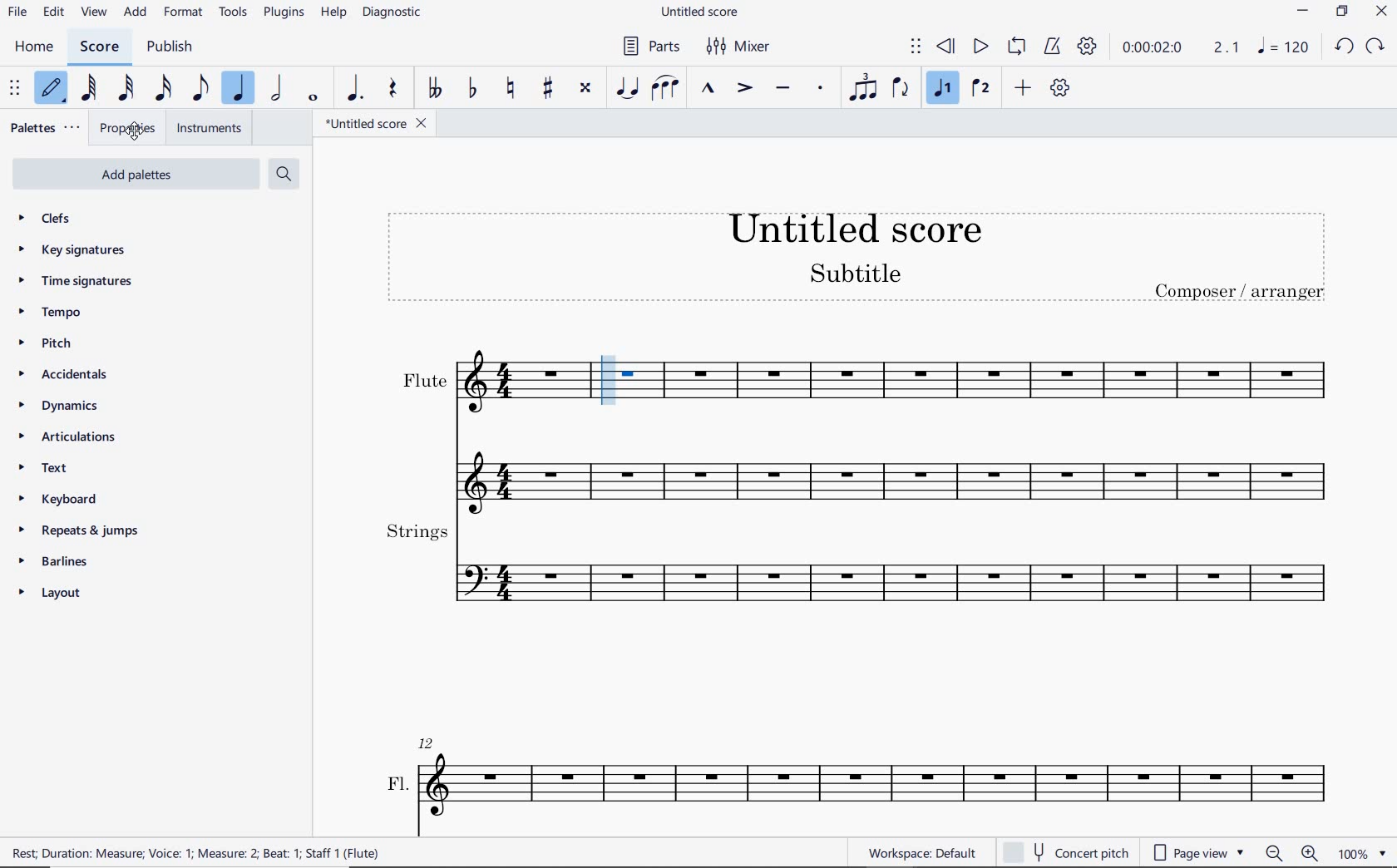 This screenshot has width=1397, height=868. What do you see at coordinates (745, 89) in the screenshot?
I see `ACCENT` at bounding box center [745, 89].